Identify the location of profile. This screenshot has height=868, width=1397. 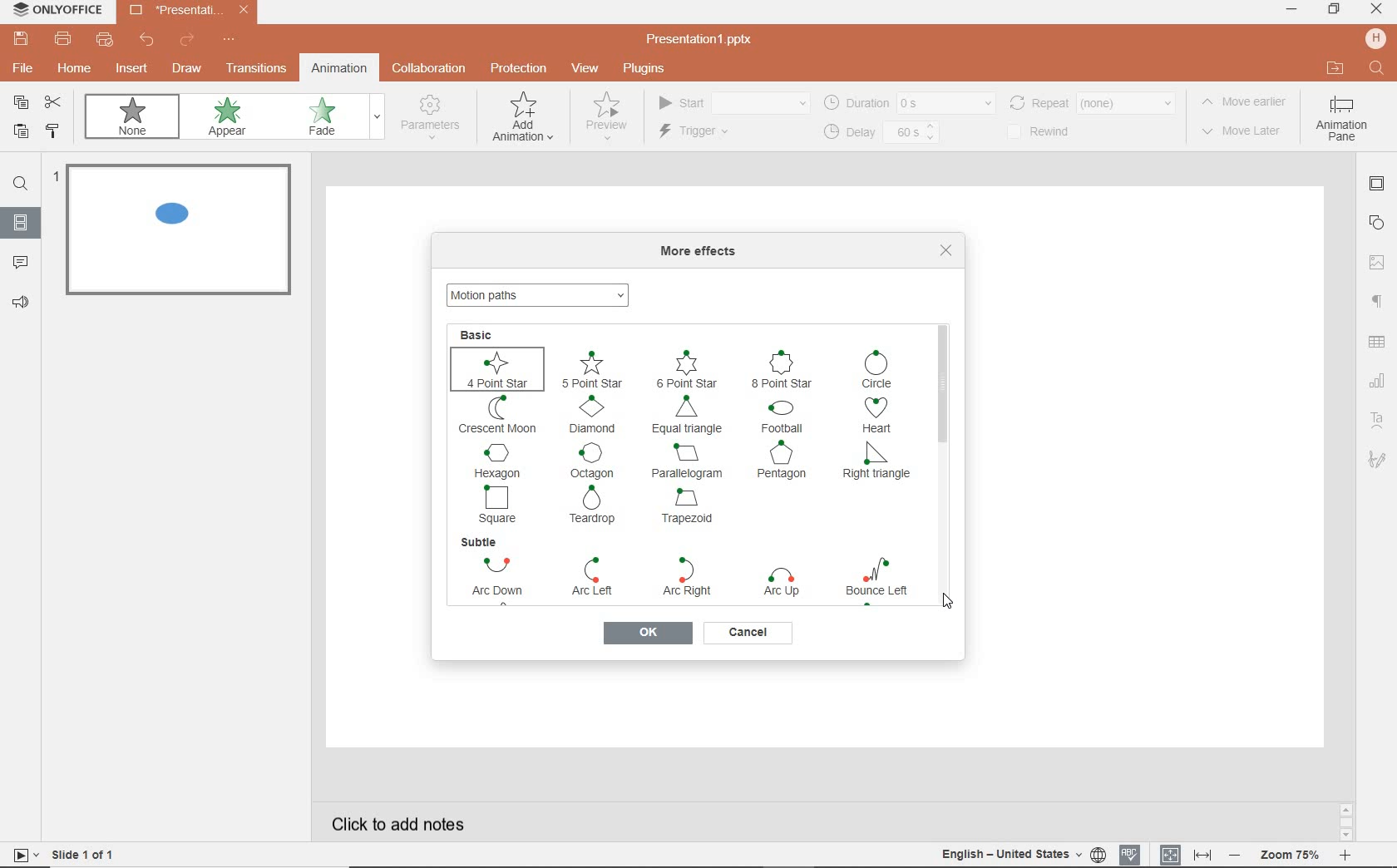
(1374, 38).